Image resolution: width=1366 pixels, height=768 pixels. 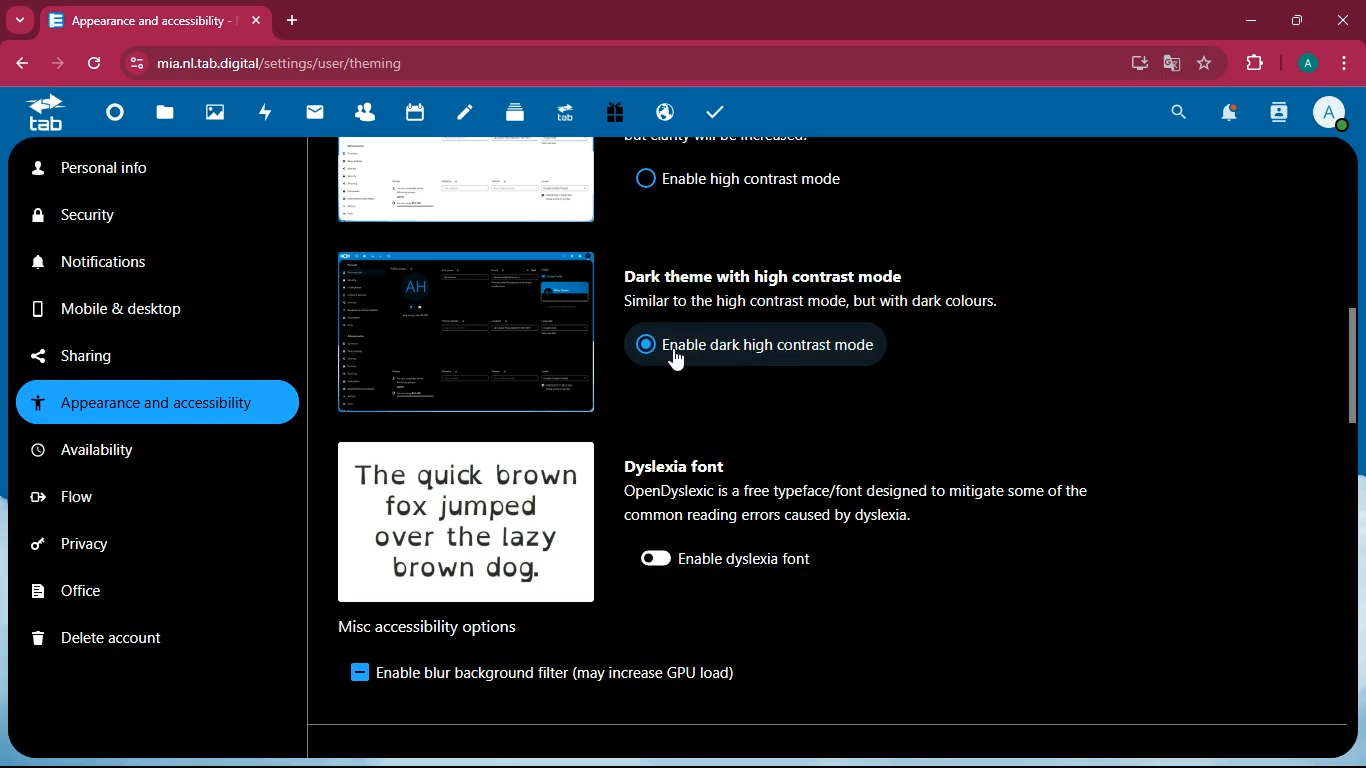 What do you see at coordinates (1278, 116) in the screenshot?
I see `activity` at bounding box center [1278, 116].